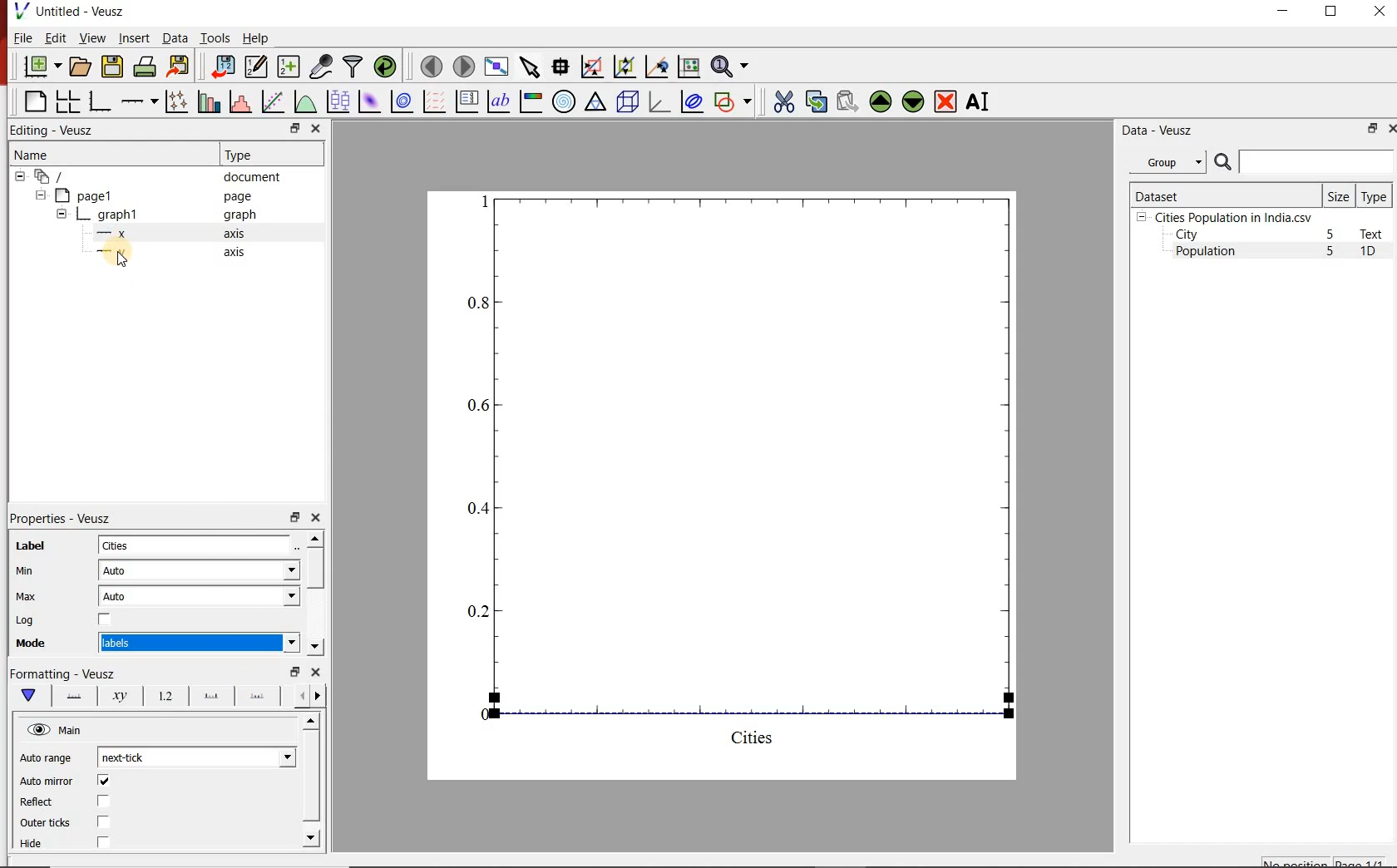  I want to click on Dataset, so click(1223, 195).